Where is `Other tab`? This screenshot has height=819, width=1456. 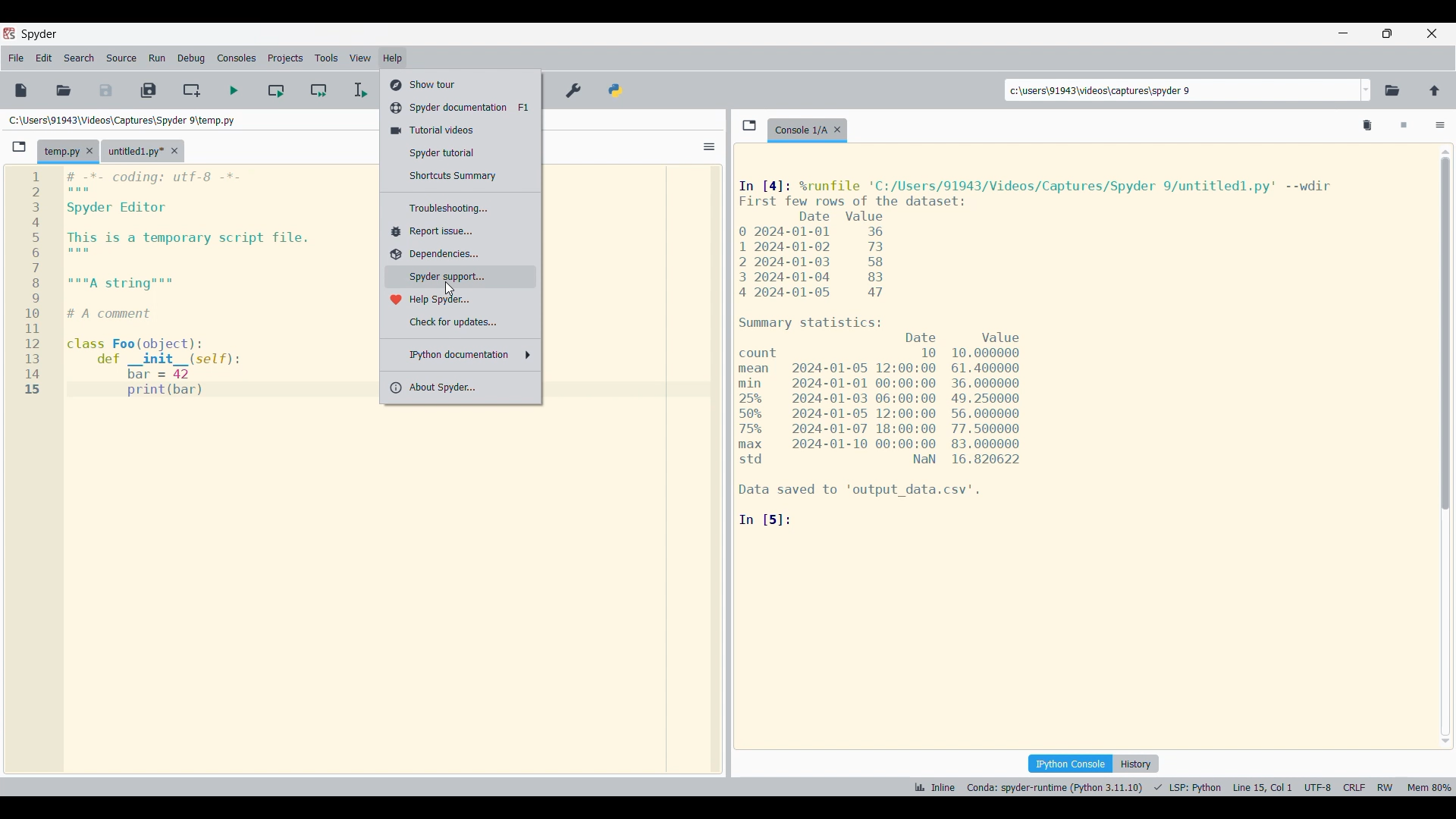 Other tab is located at coordinates (143, 151).